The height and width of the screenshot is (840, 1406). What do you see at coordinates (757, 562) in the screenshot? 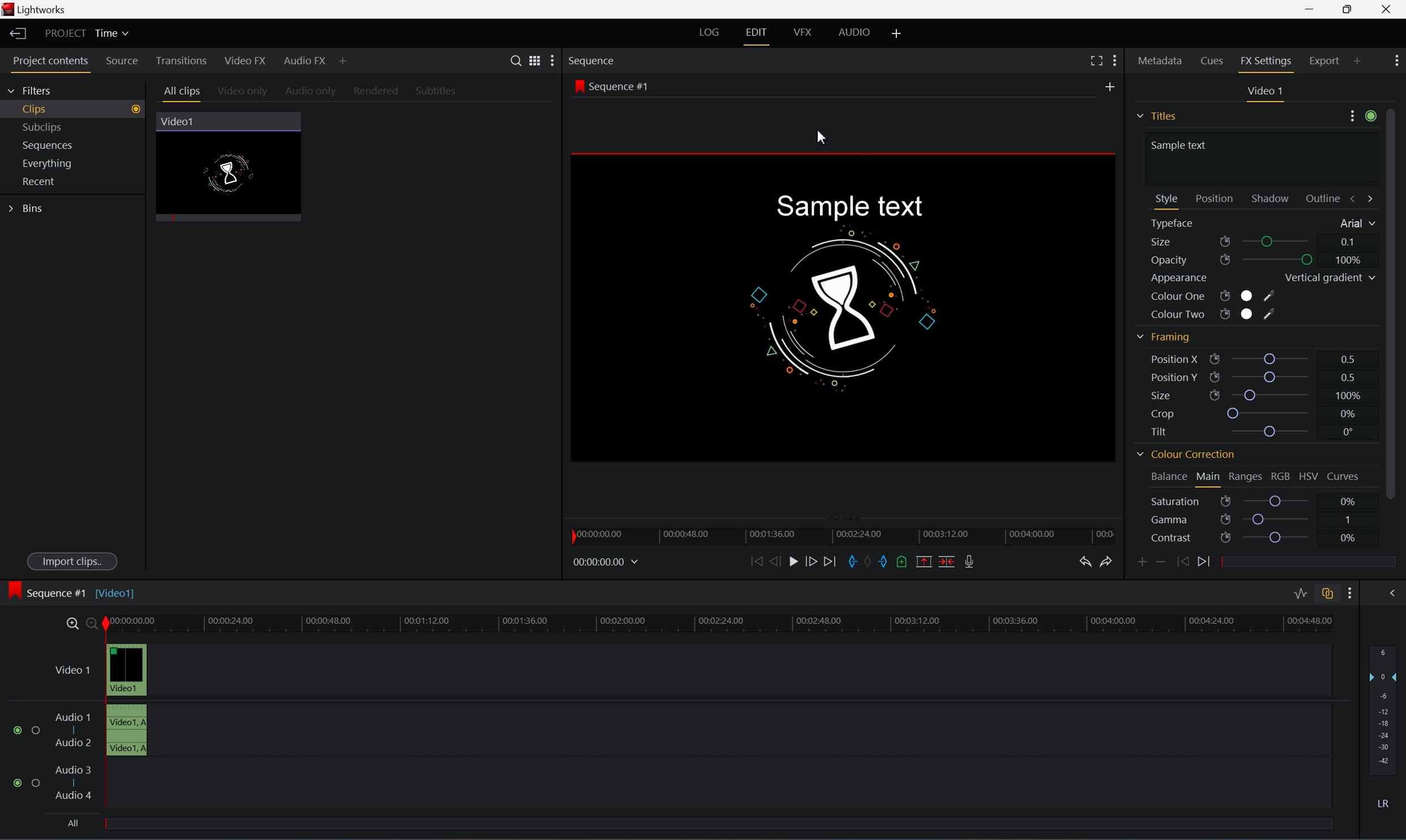
I see `move backward` at bounding box center [757, 562].